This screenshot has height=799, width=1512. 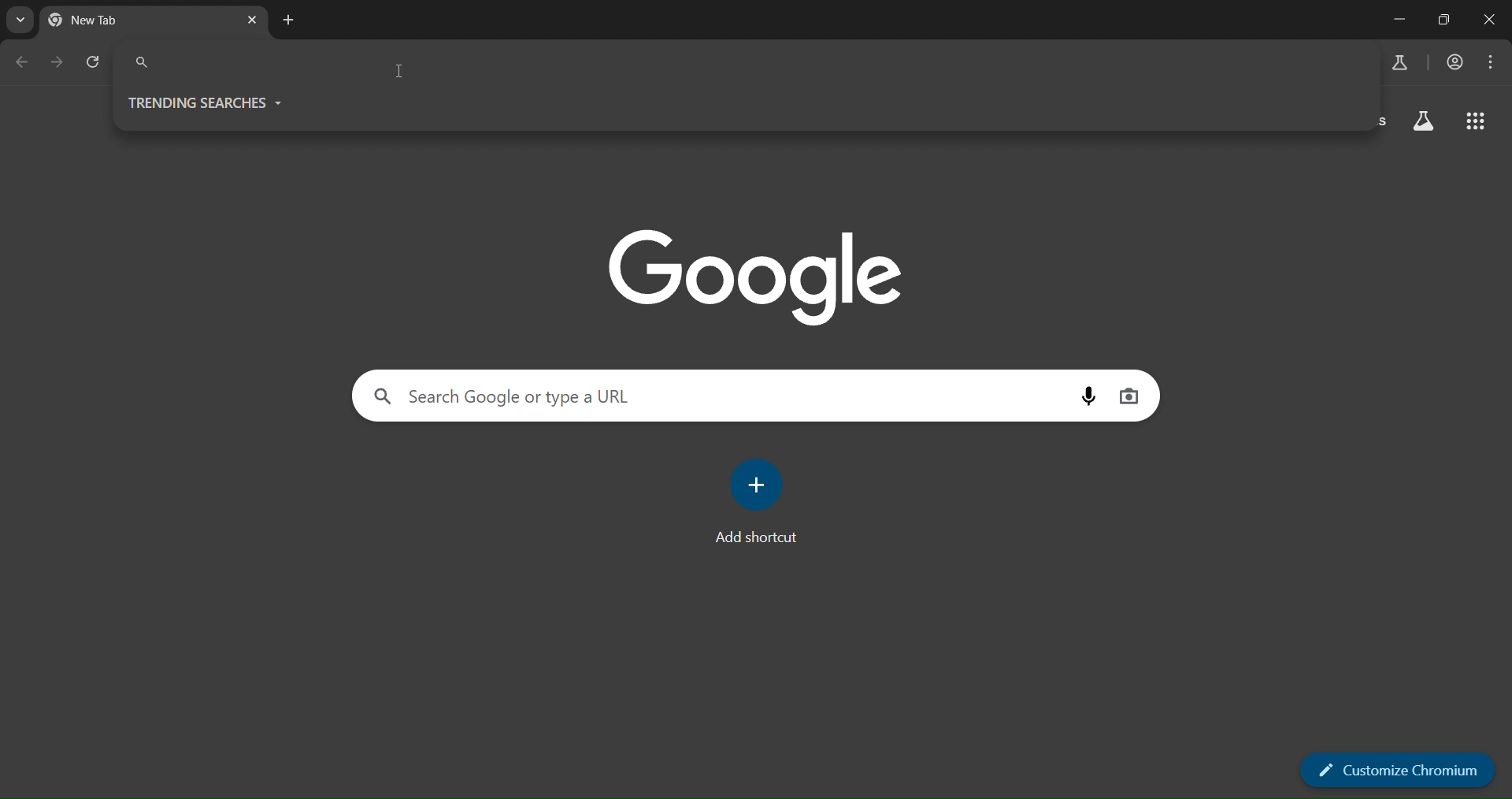 What do you see at coordinates (1488, 20) in the screenshot?
I see `close` at bounding box center [1488, 20].